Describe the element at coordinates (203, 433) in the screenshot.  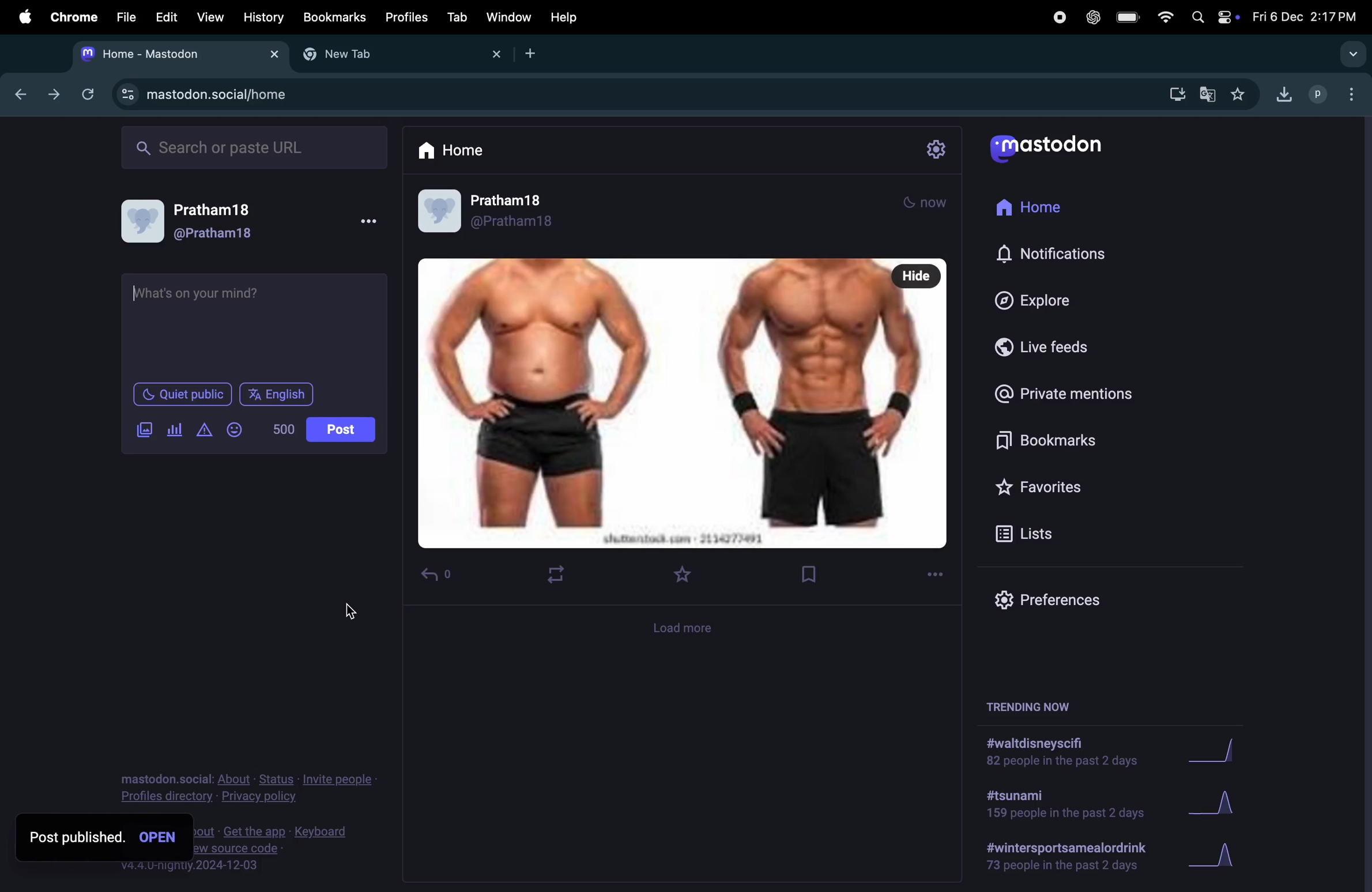
I see `create alert` at that location.